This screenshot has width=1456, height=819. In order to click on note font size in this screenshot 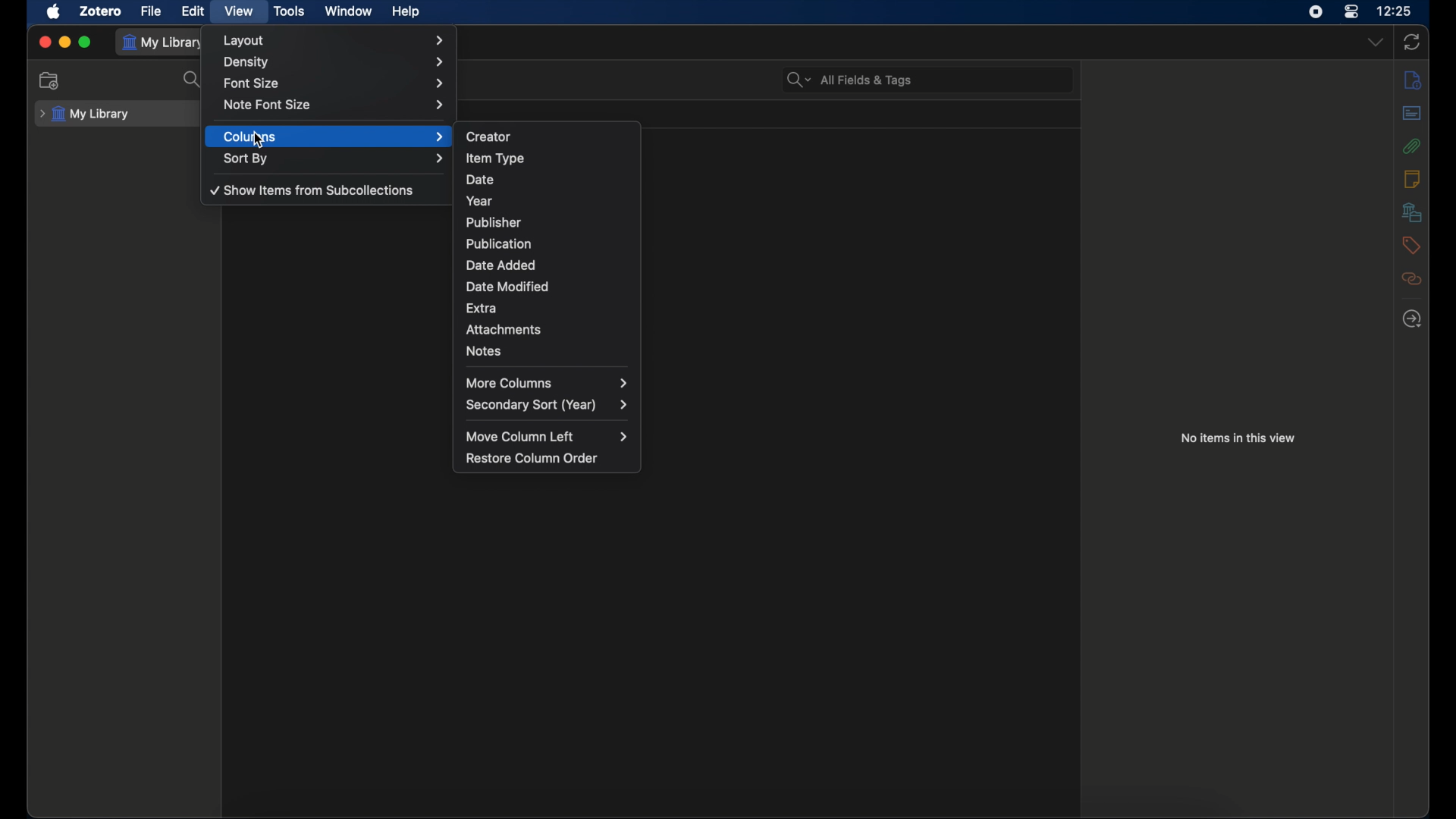, I will do `click(334, 105)`.